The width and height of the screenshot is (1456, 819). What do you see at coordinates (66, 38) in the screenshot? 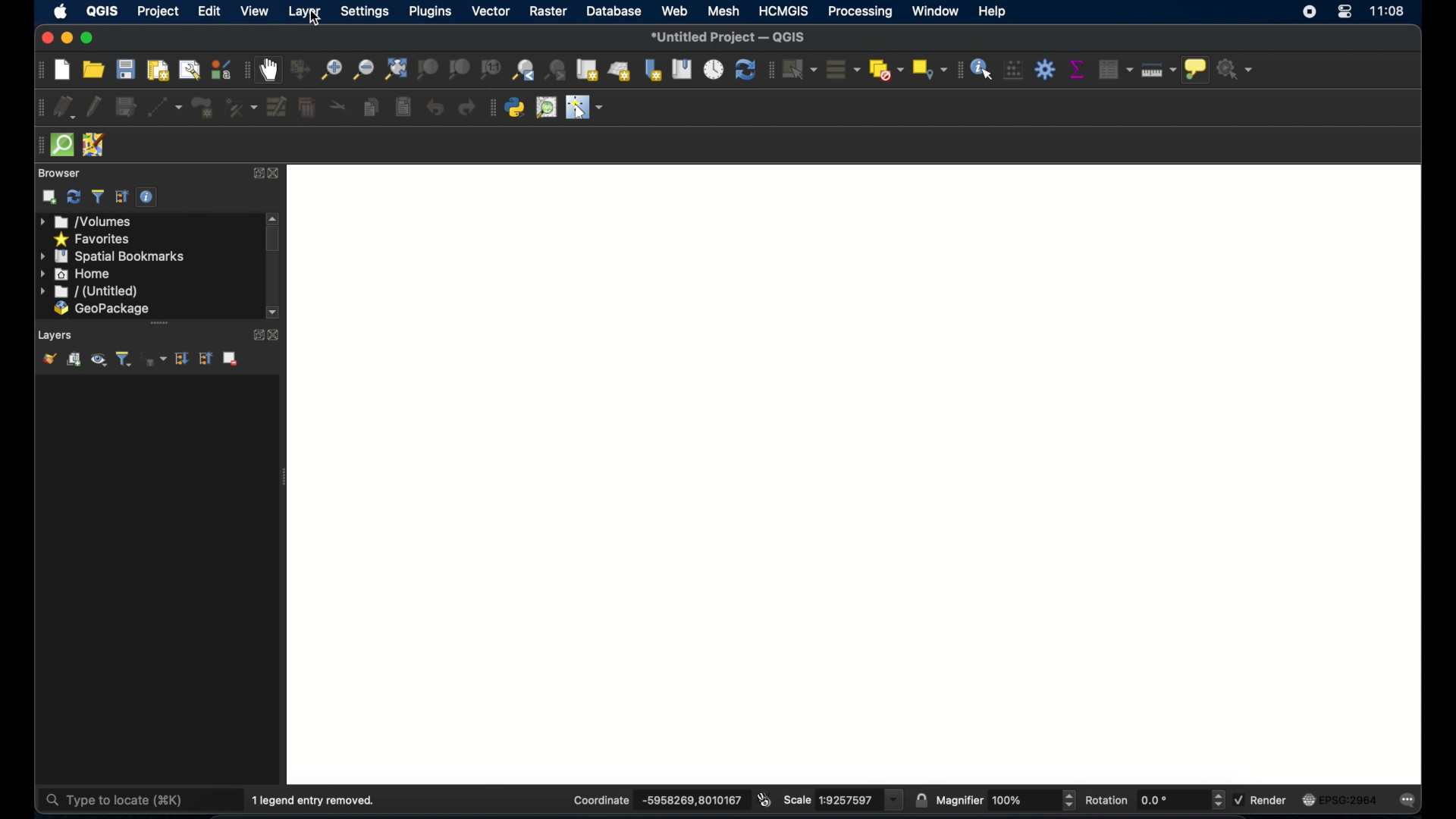
I see `minimize` at bounding box center [66, 38].